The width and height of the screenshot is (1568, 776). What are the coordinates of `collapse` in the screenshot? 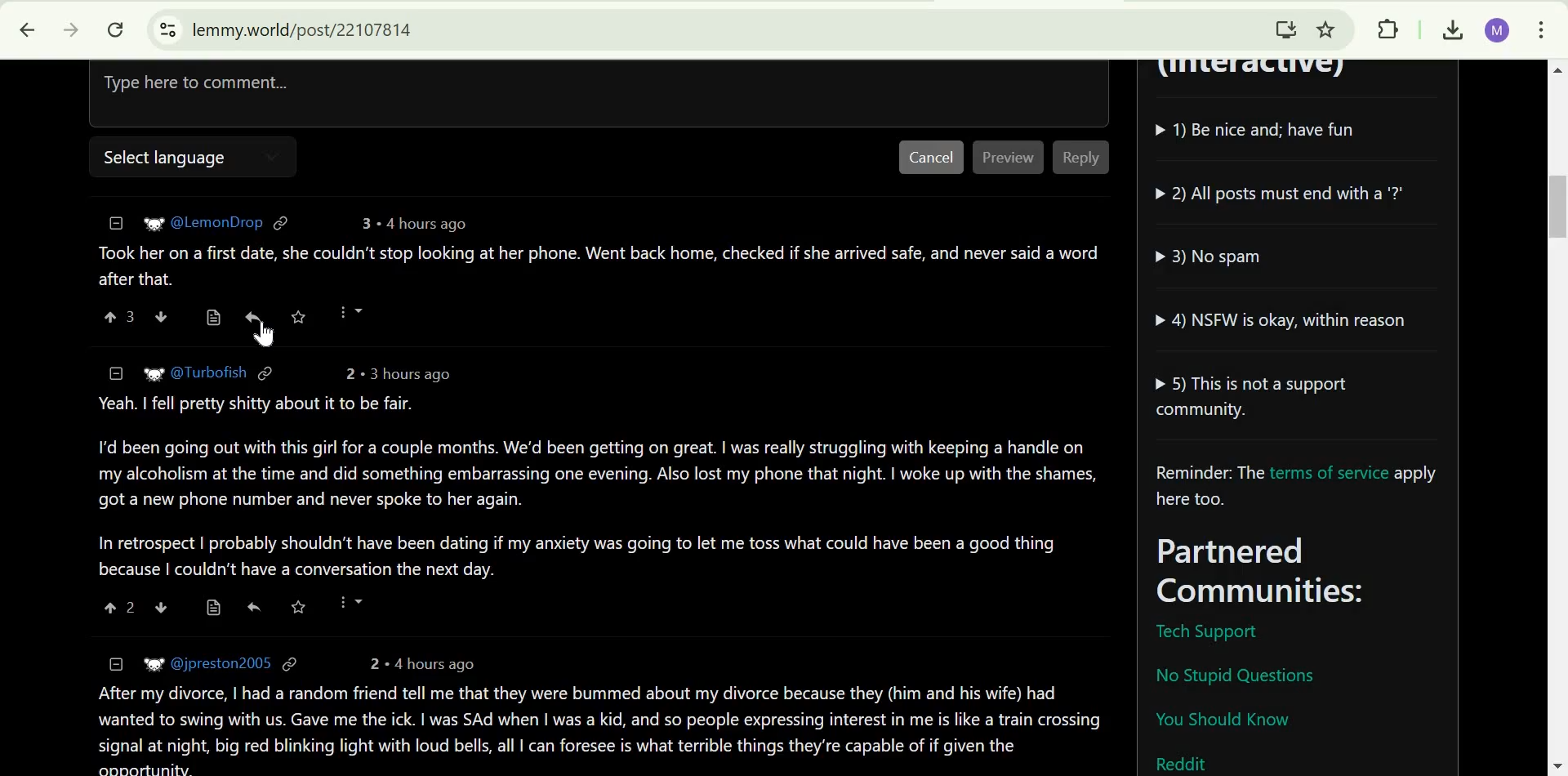 It's located at (114, 223).